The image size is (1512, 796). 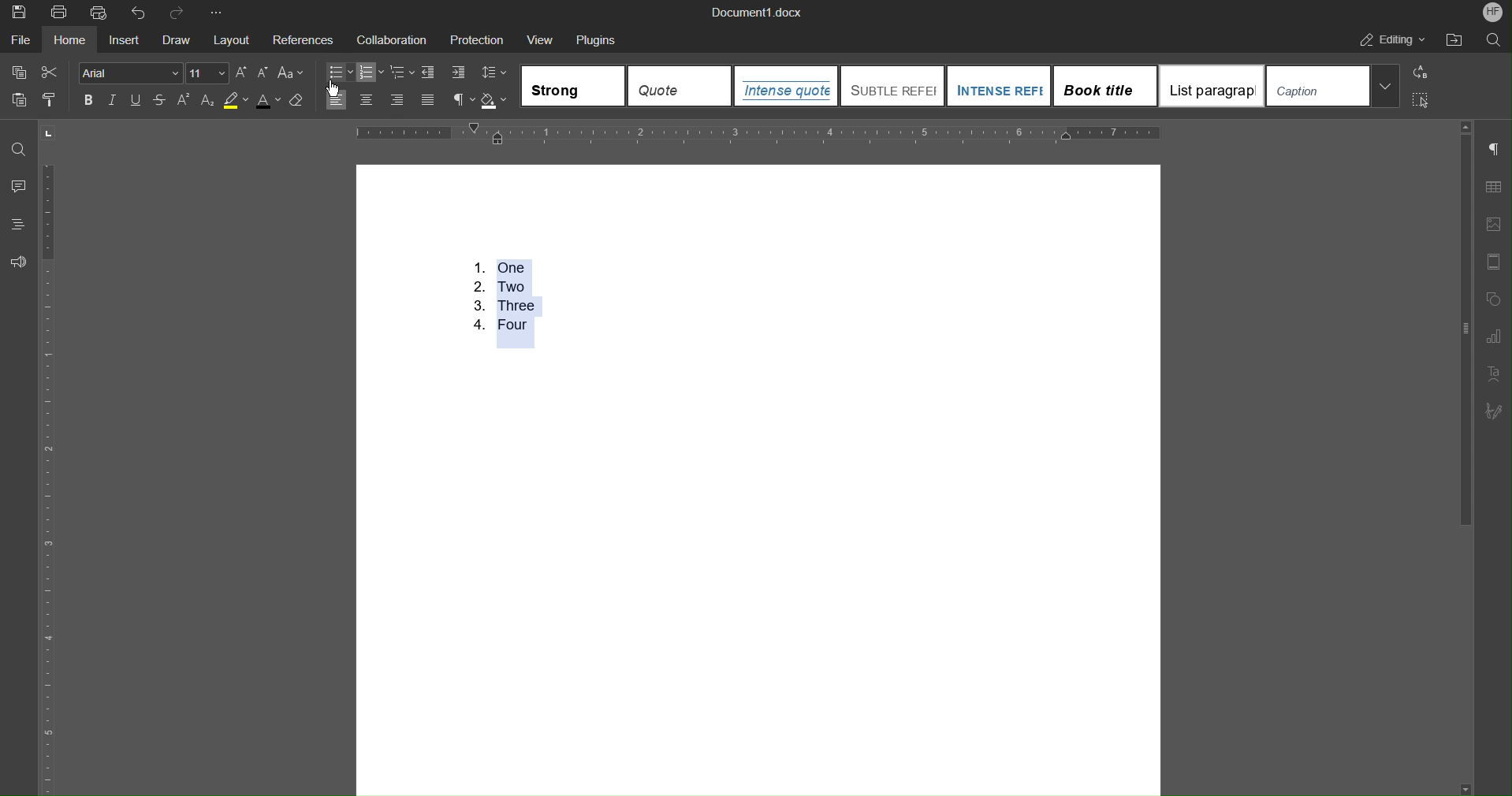 What do you see at coordinates (261, 74) in the screenshot?
I see `Decrease Size` at bounding box center [261, 74].